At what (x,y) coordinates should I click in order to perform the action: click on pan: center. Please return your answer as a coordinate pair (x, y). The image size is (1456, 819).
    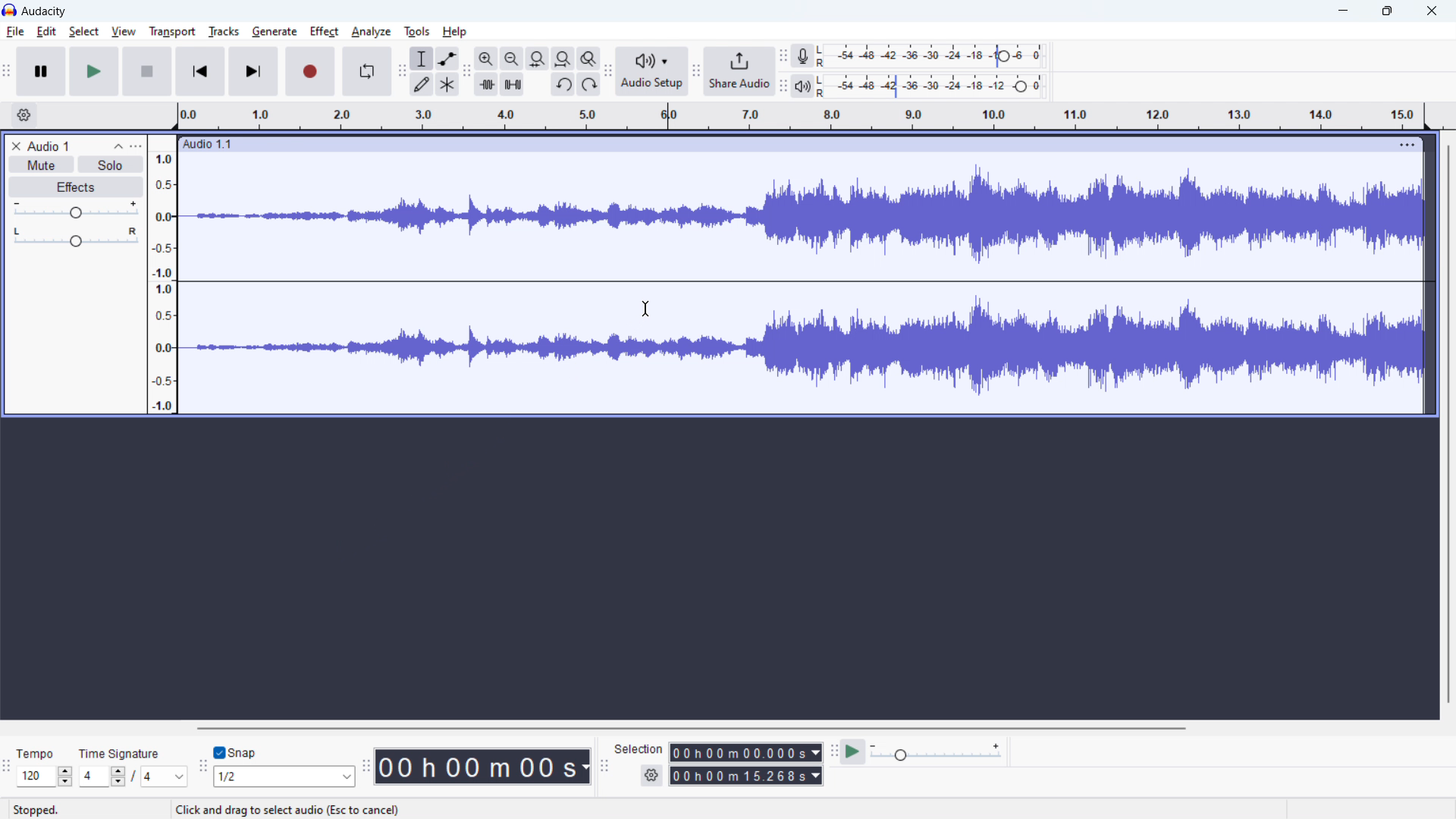
    Looking at the image, I should click on (75, 237).